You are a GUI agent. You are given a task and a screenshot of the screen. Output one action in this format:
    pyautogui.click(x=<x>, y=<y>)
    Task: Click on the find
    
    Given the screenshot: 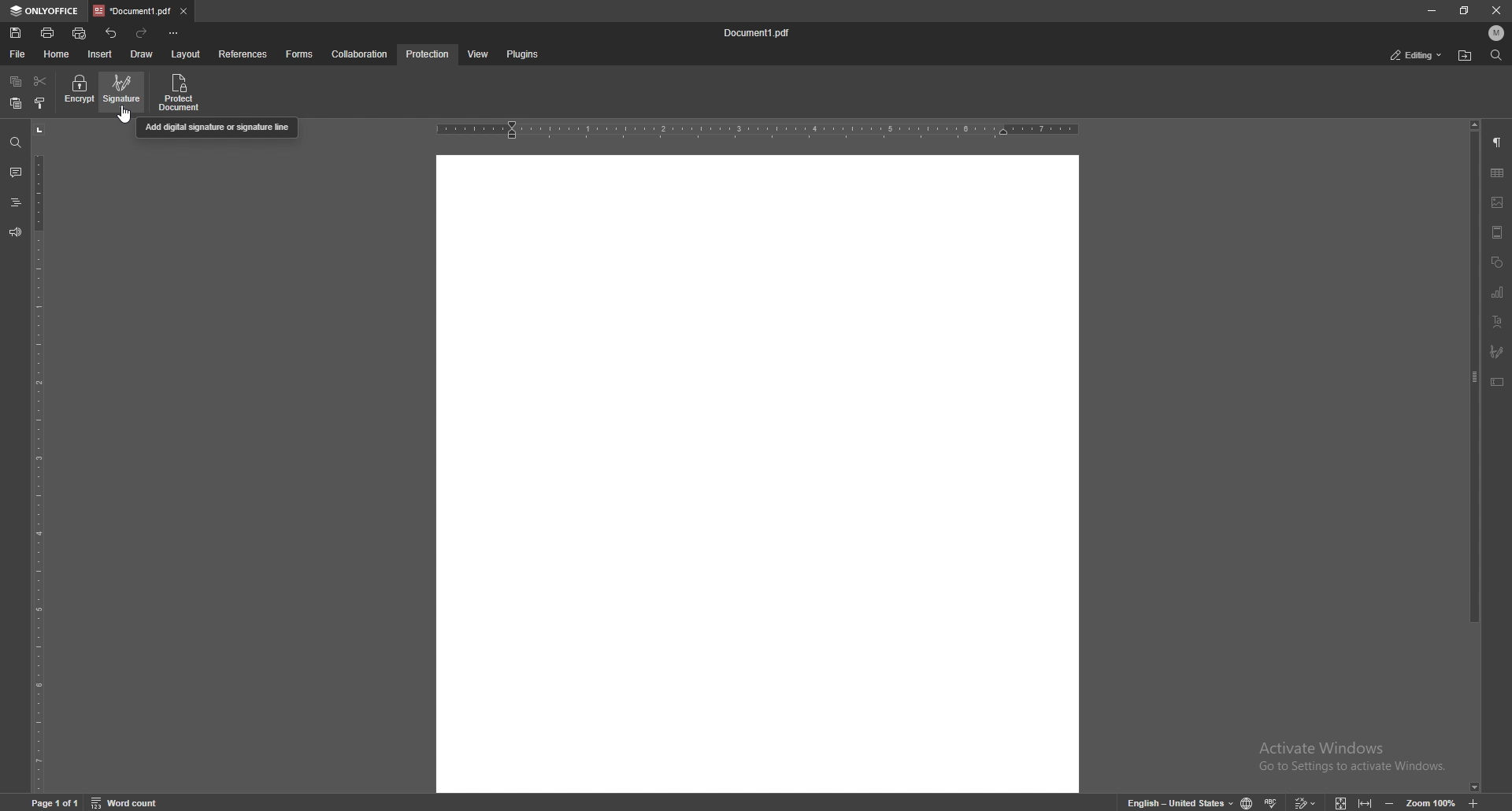 What is the action you would take?
    pyautogui.click(x=1496, y=56)
    